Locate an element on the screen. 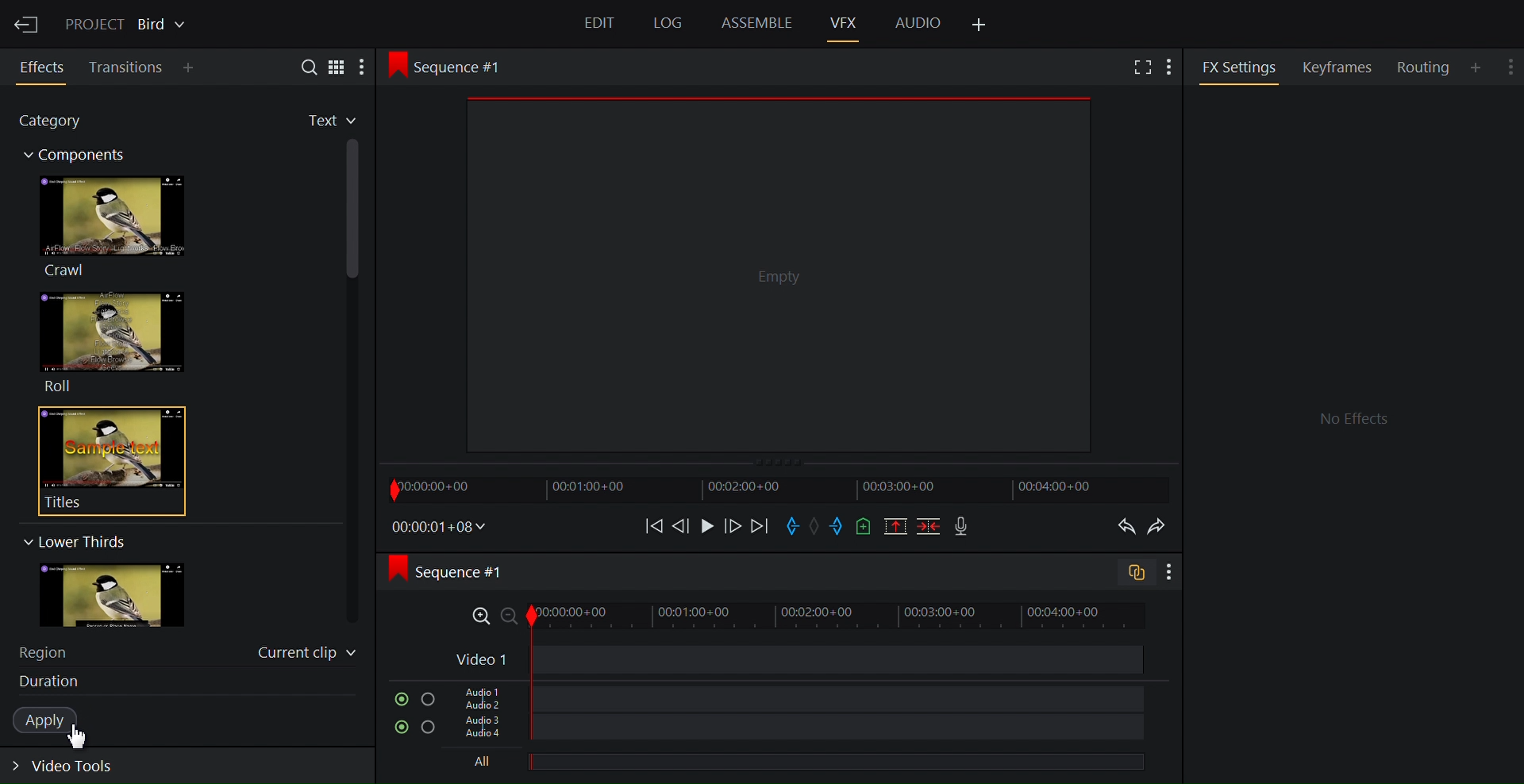 This screenshot has height=784, width=1524. Audio Track 1, Audio Track 2 is located at coordinates (794, 697).